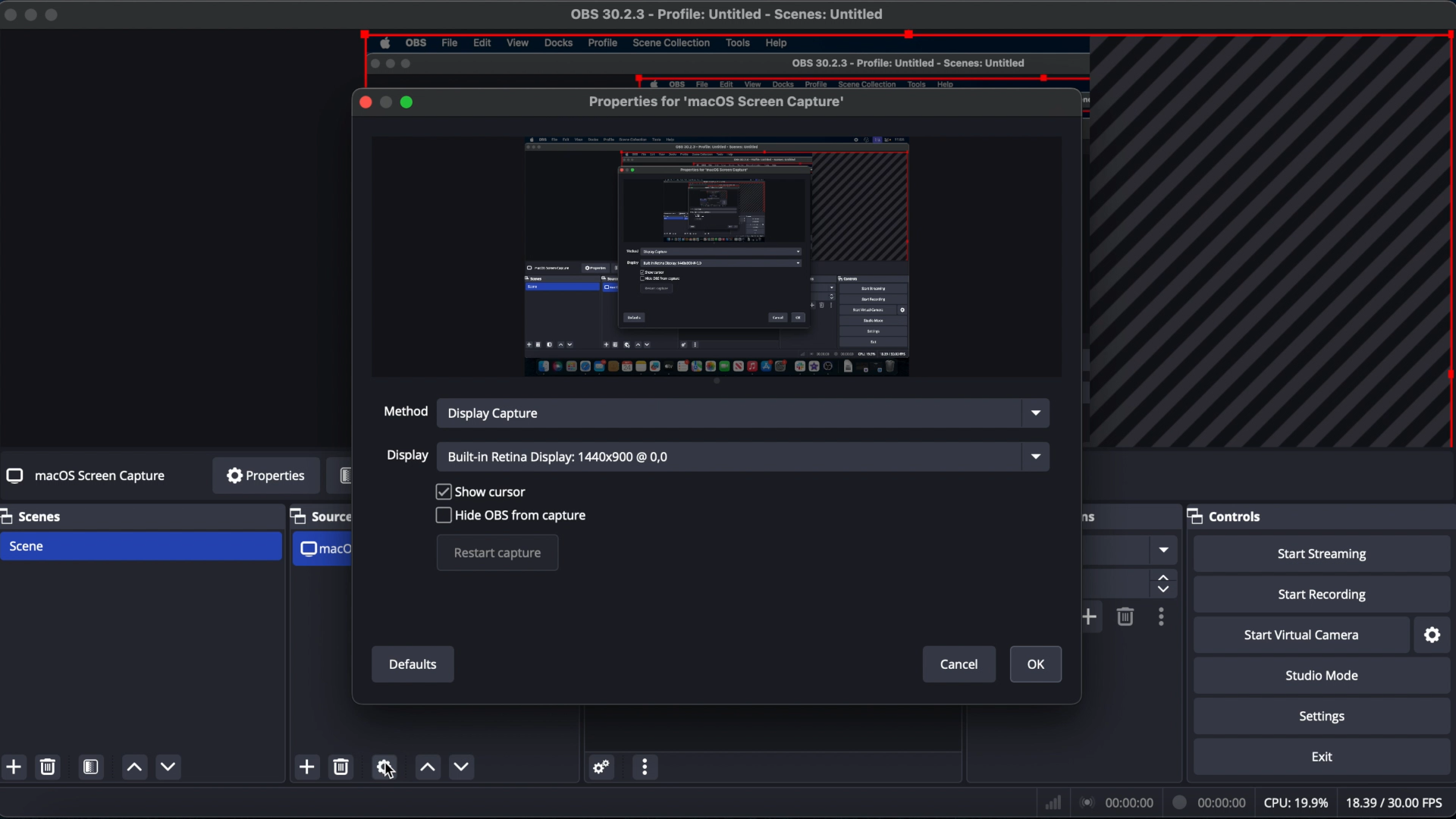  What do you see at coordinates (1126, 617) in the screenshot?
I see `remove configurable transition` at bounding box center [1126, 617].